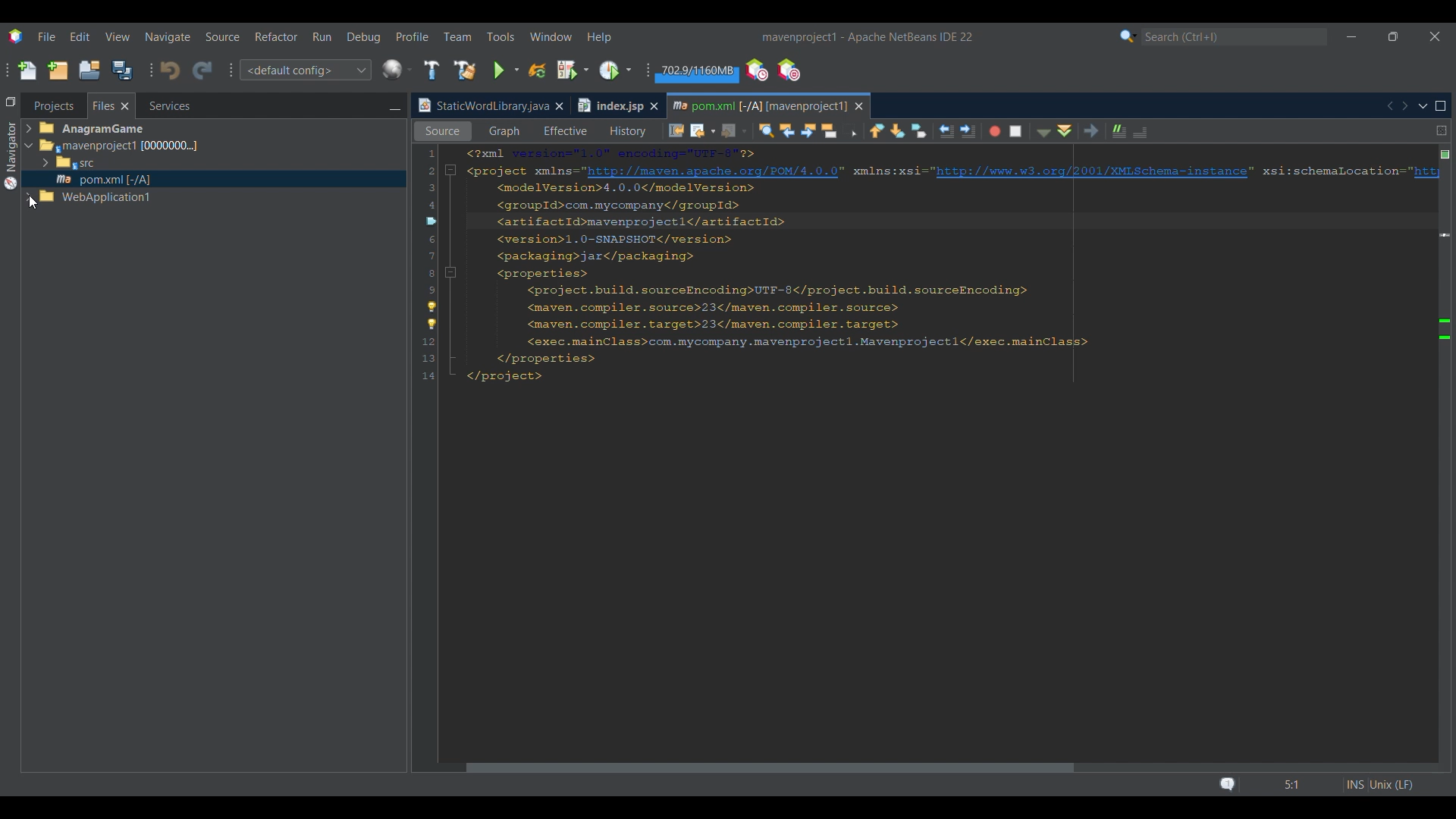  What do you see at coordinates (1235, 37) in the screenshot?
I see `Search` at bounding box center [1235, 37].